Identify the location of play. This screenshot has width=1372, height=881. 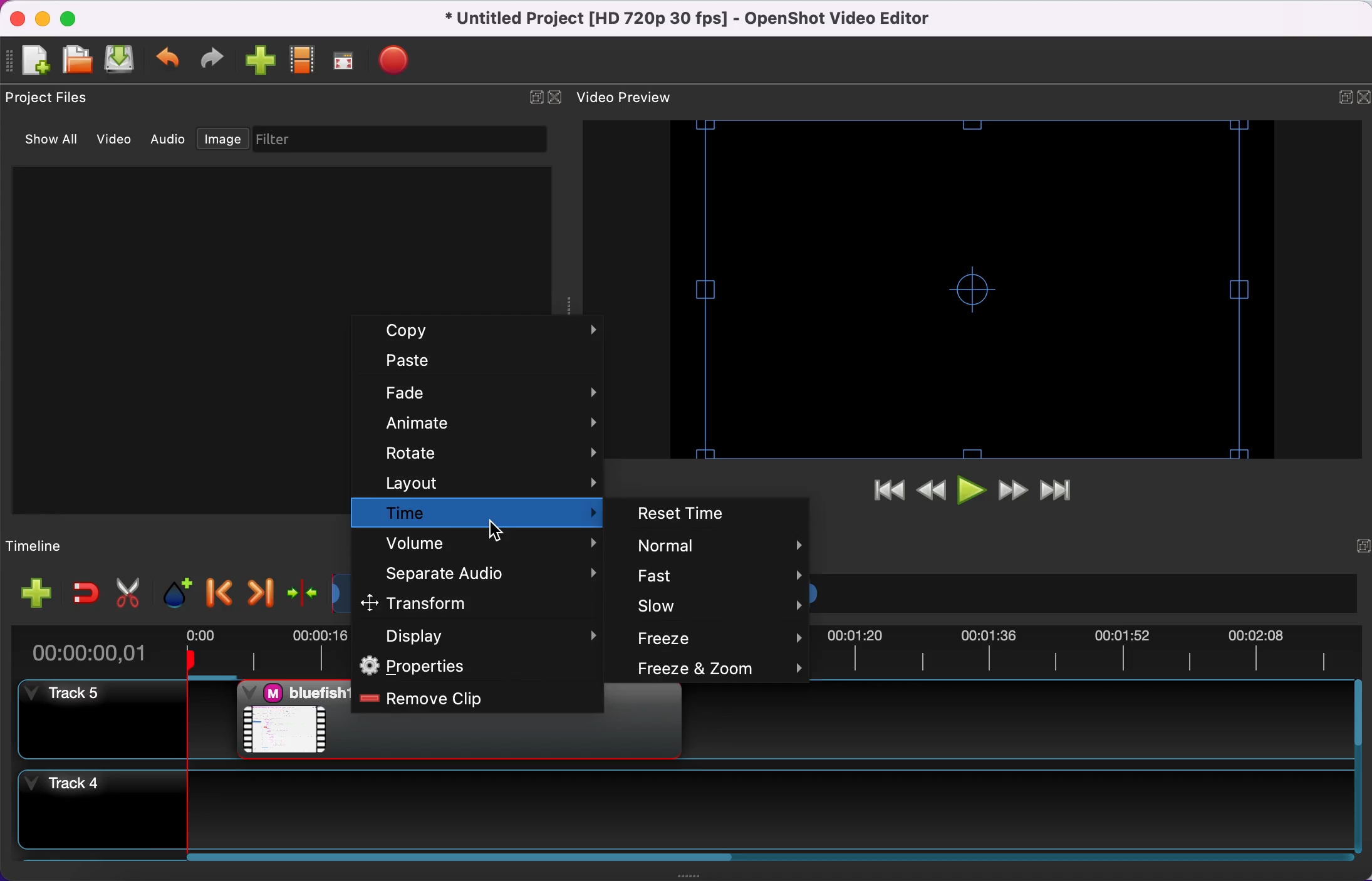
(970, 492).